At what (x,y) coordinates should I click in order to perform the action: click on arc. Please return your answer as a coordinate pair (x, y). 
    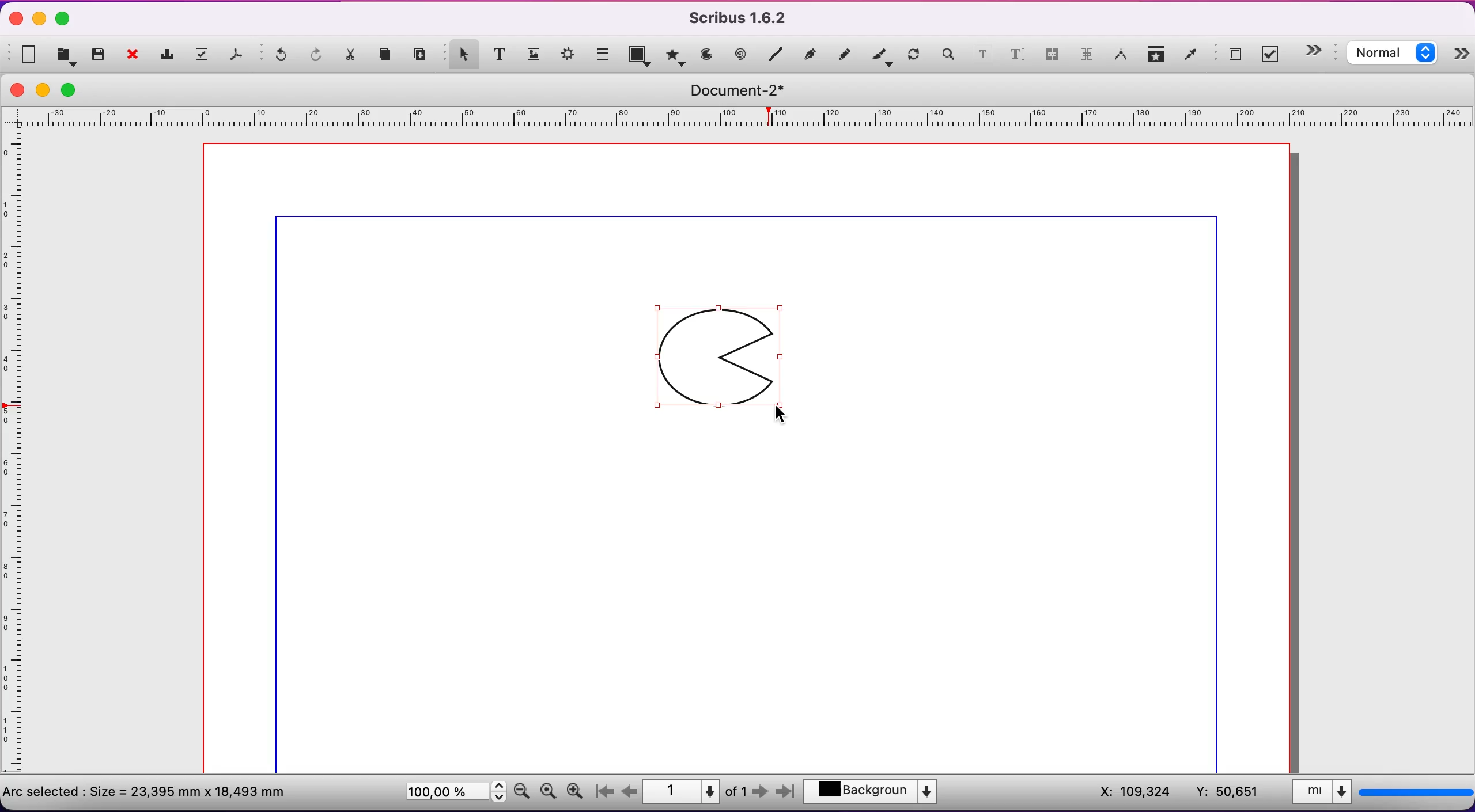
    Looking at the image, I should click on (706, 55).